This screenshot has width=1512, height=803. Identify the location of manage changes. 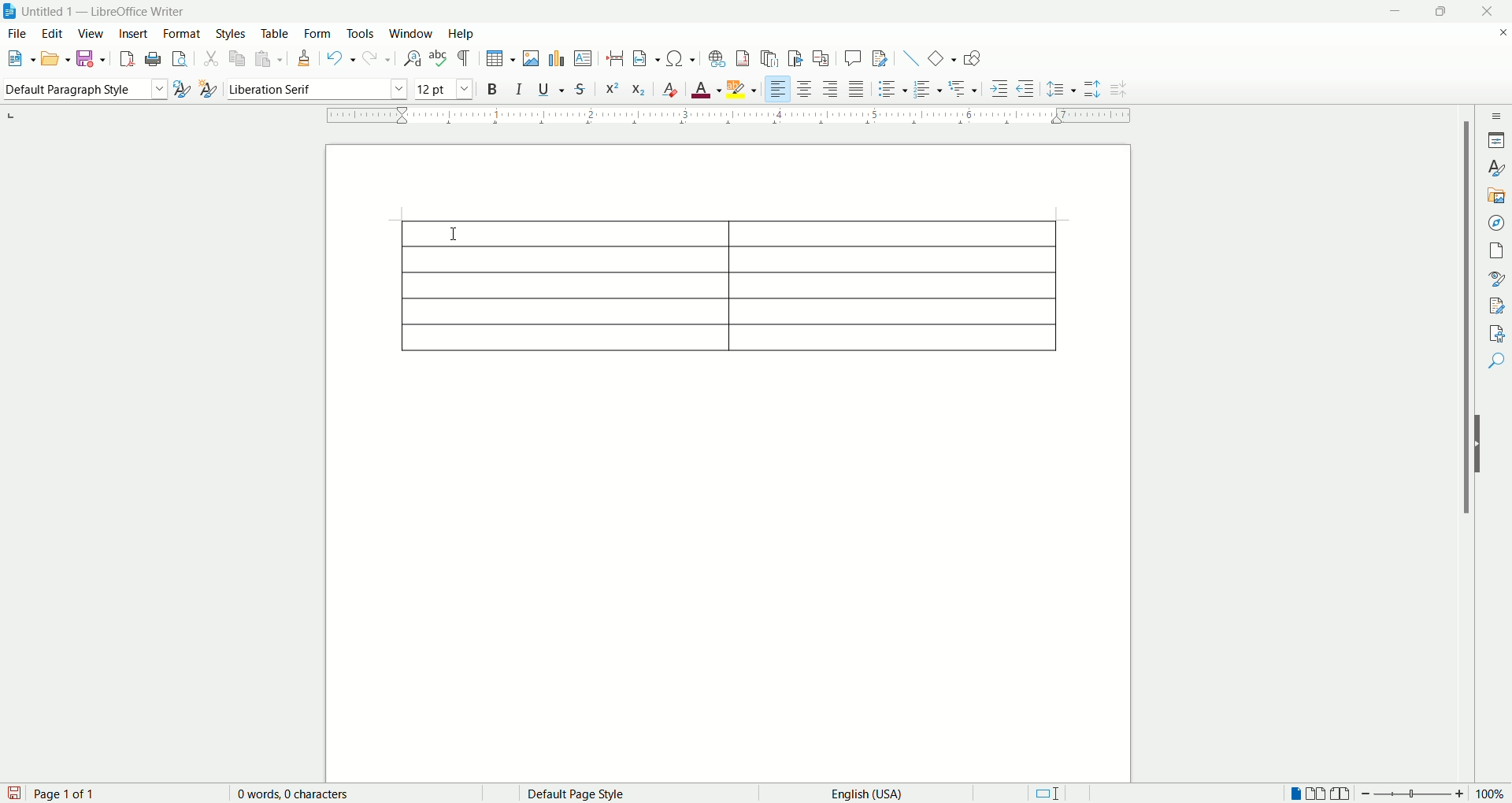
(1496, 304).